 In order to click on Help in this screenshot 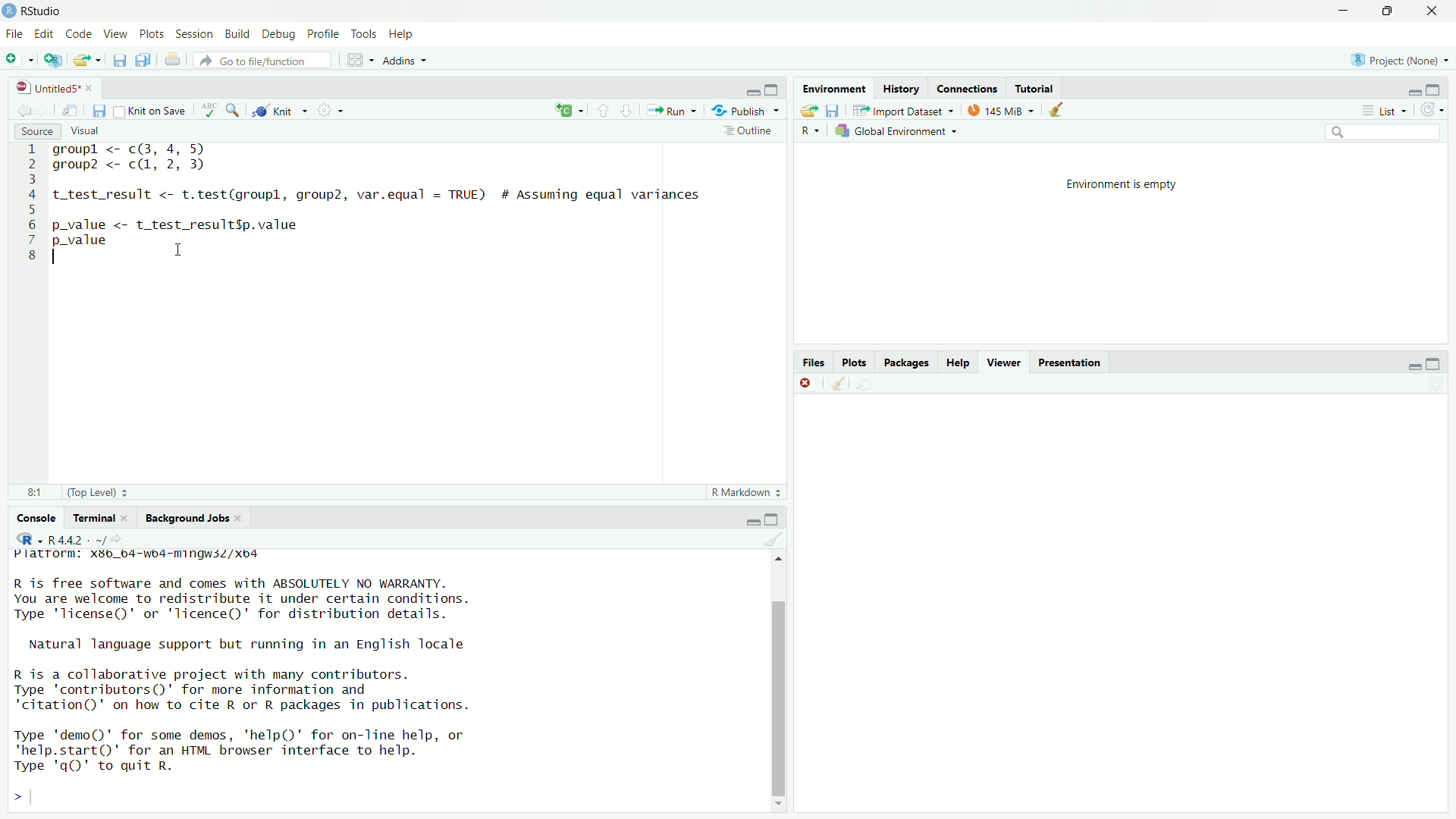, I will do `click(403, 33)`.